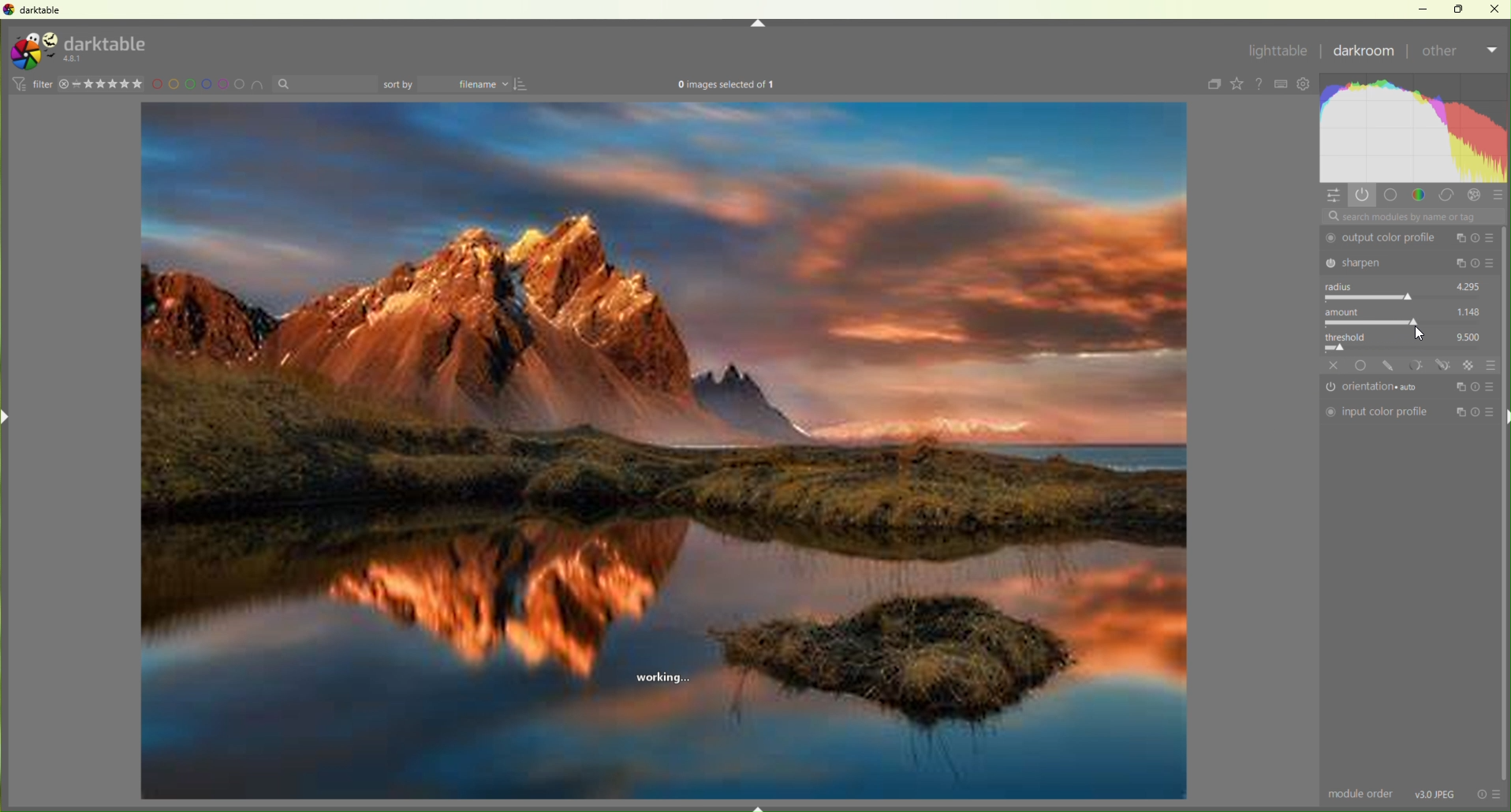 This screenshot has height=812, width=1511. Describe the element at coordinates (1476, 238) in the screenshot. I see `copy, reset and presets` at that location.